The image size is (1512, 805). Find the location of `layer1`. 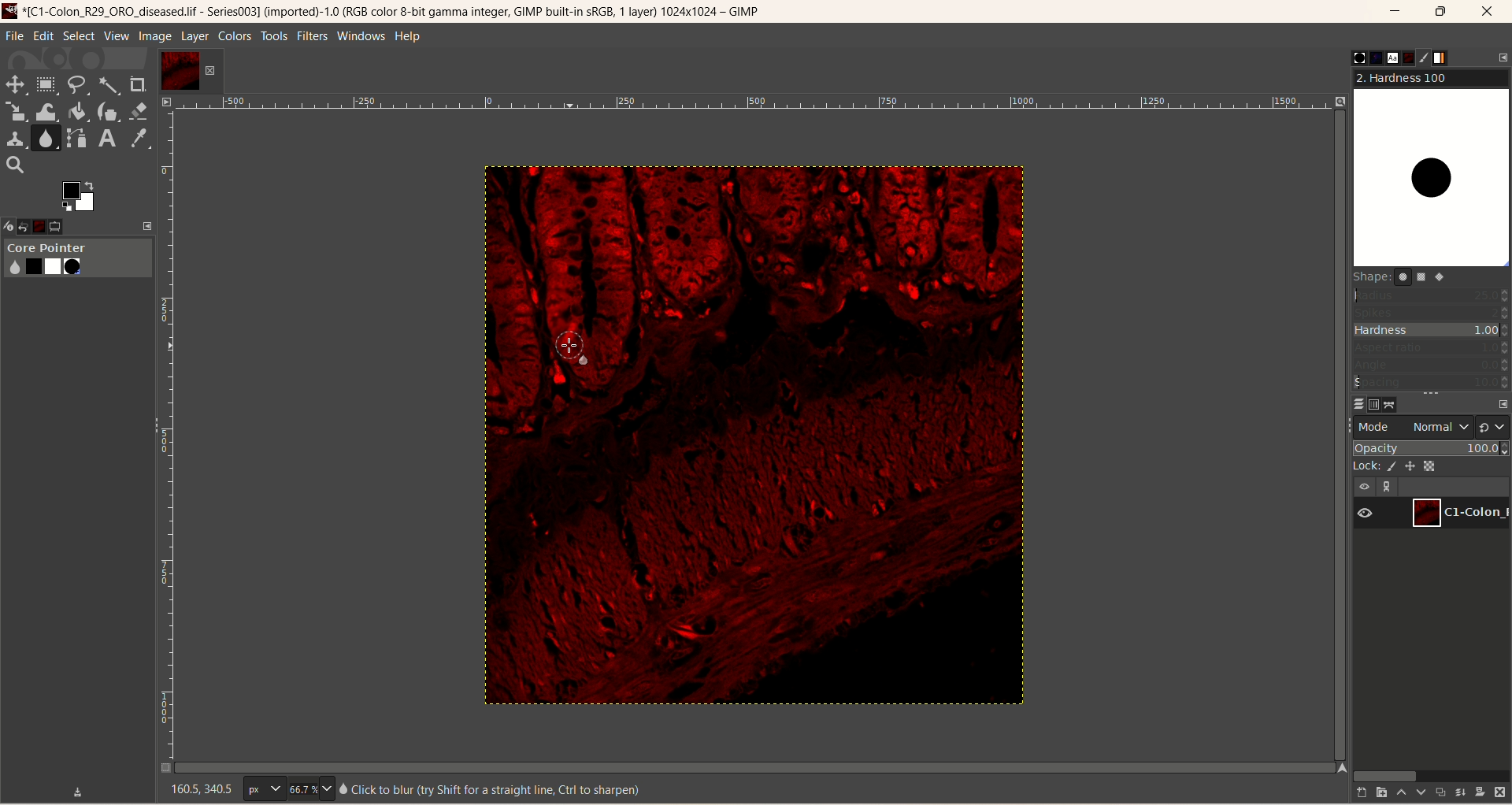

layer1 is located at coordinates (1462, 511).